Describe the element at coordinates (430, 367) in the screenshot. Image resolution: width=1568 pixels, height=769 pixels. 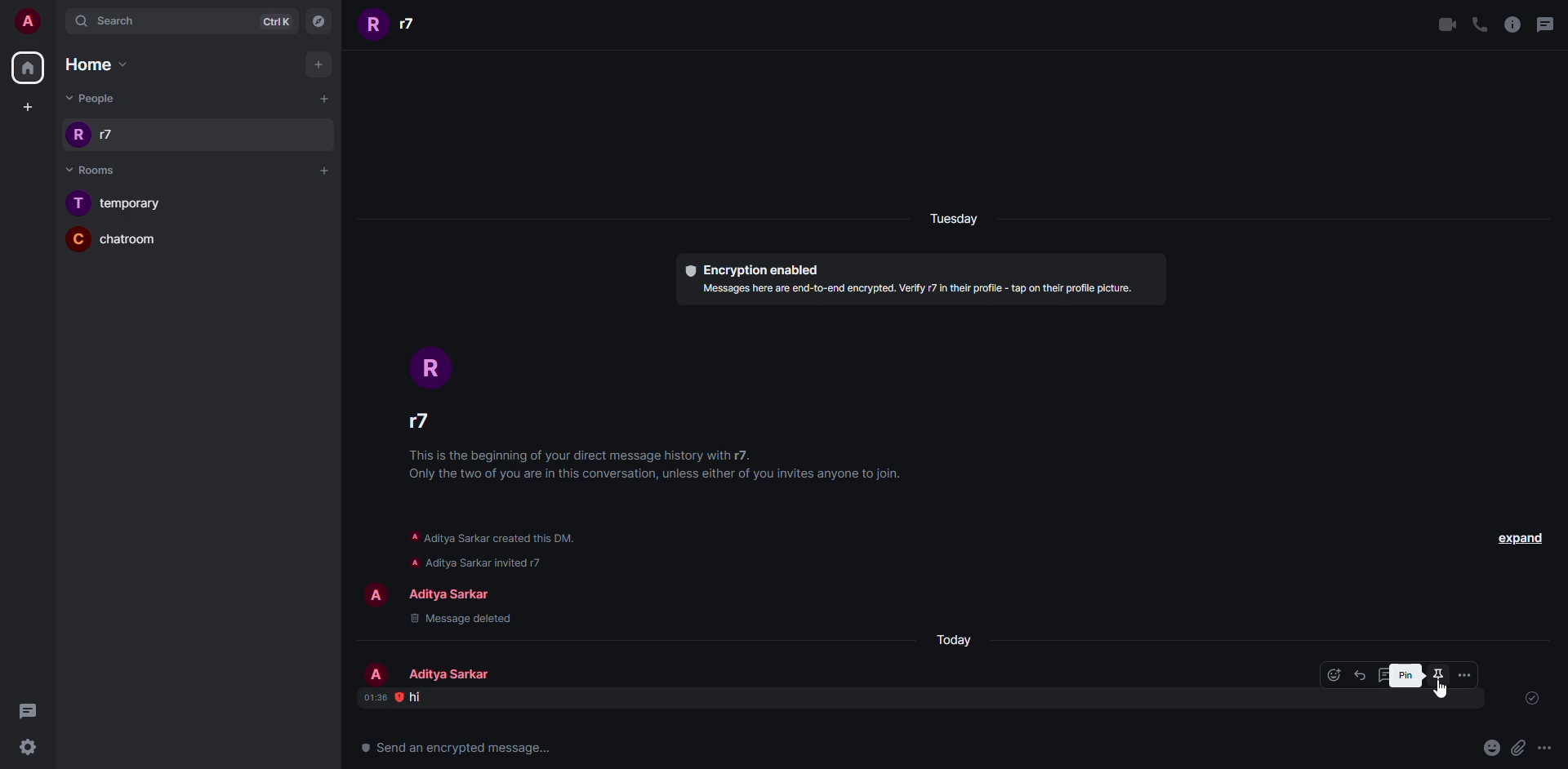
I see `profile` at that location.